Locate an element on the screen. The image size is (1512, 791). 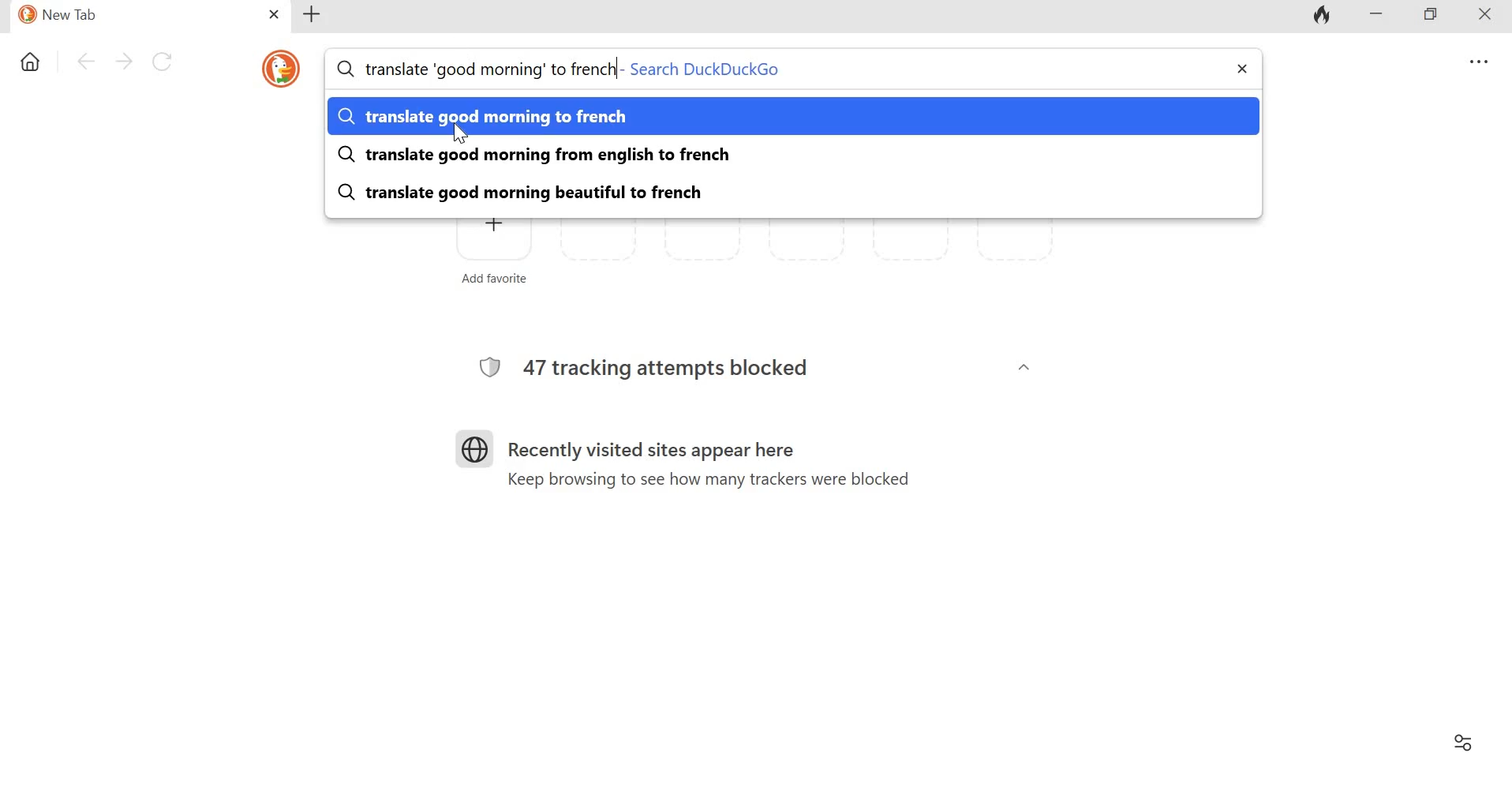
Overflow menu is located at coordinates (1474, 59).